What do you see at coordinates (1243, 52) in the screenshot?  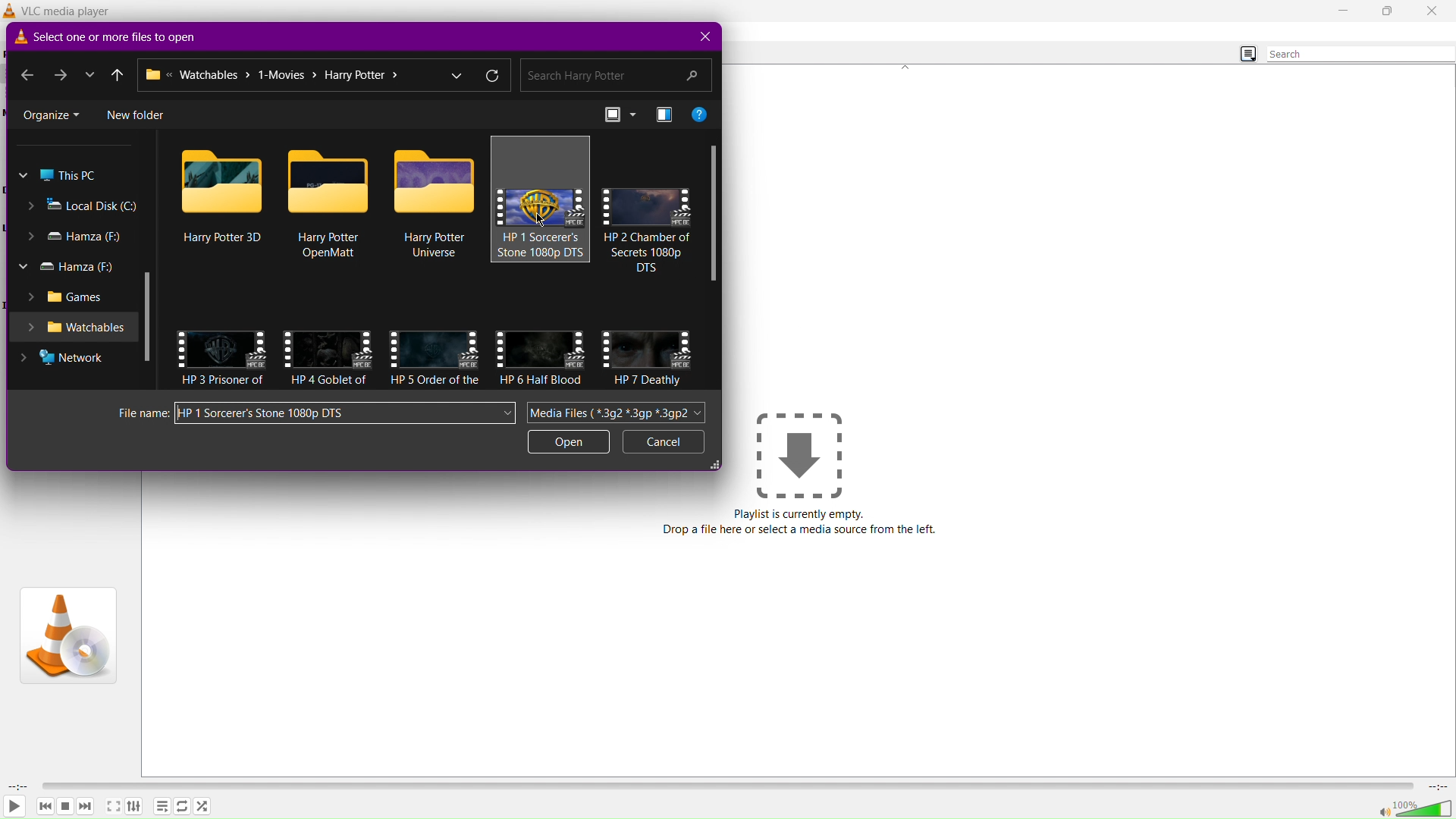 I see `Toggle Playlist view` at bounding box center [1243, 52].